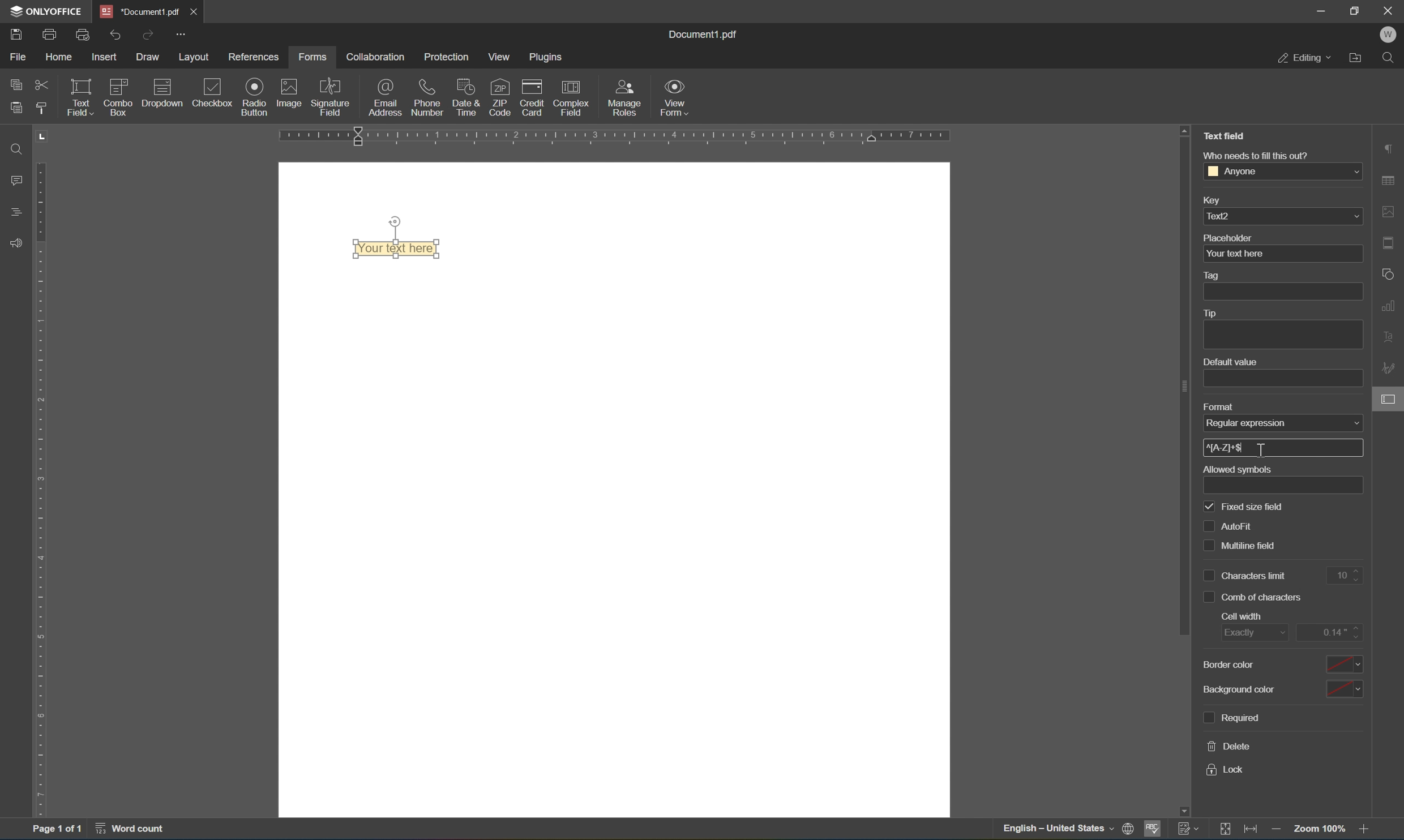 Image resolution: width=1404 pixels, height=840 pixels. I want to click on phone number, so click(426, 96).